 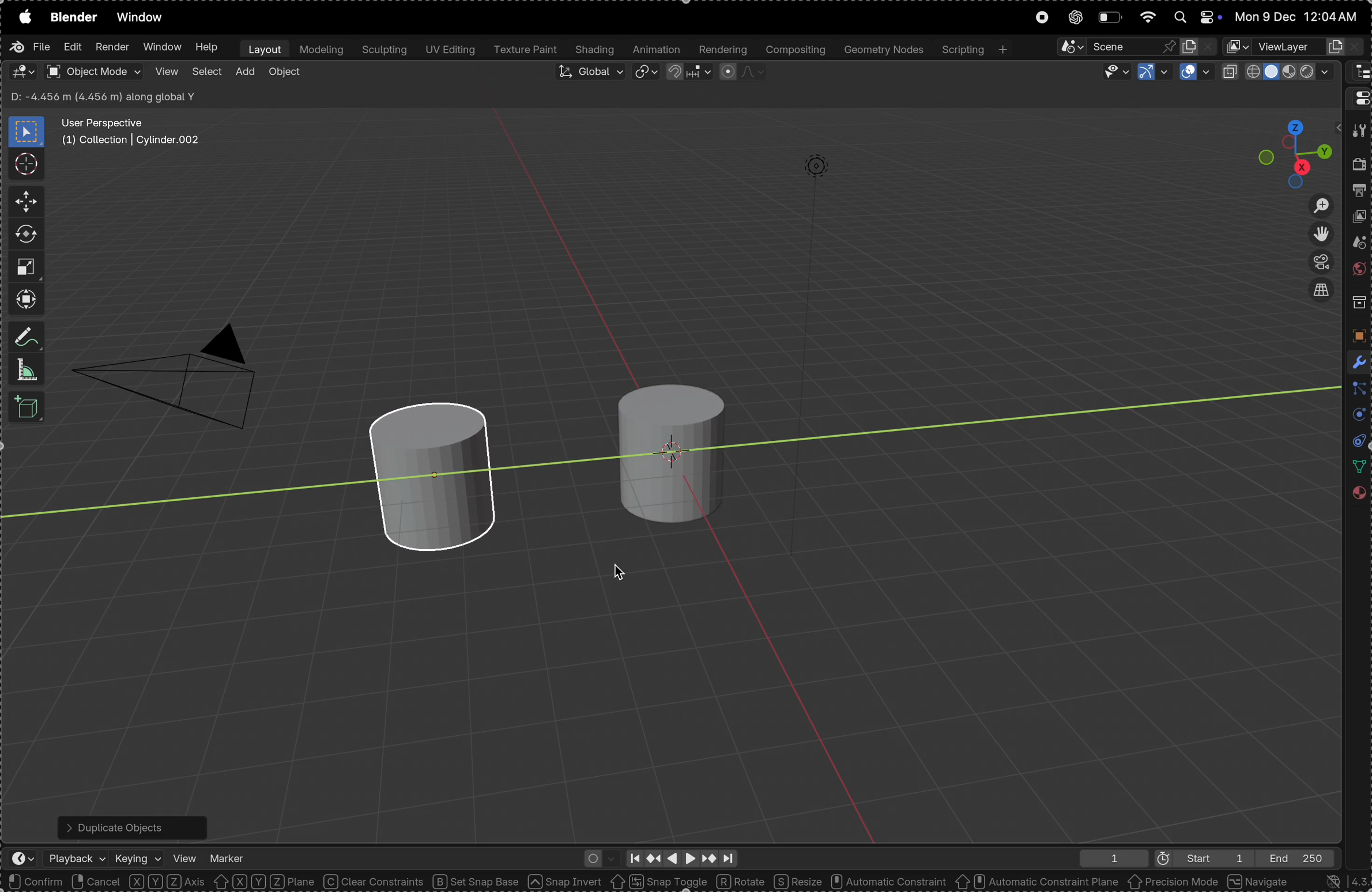 I want to click on rotate, so click(x=742, y=880).